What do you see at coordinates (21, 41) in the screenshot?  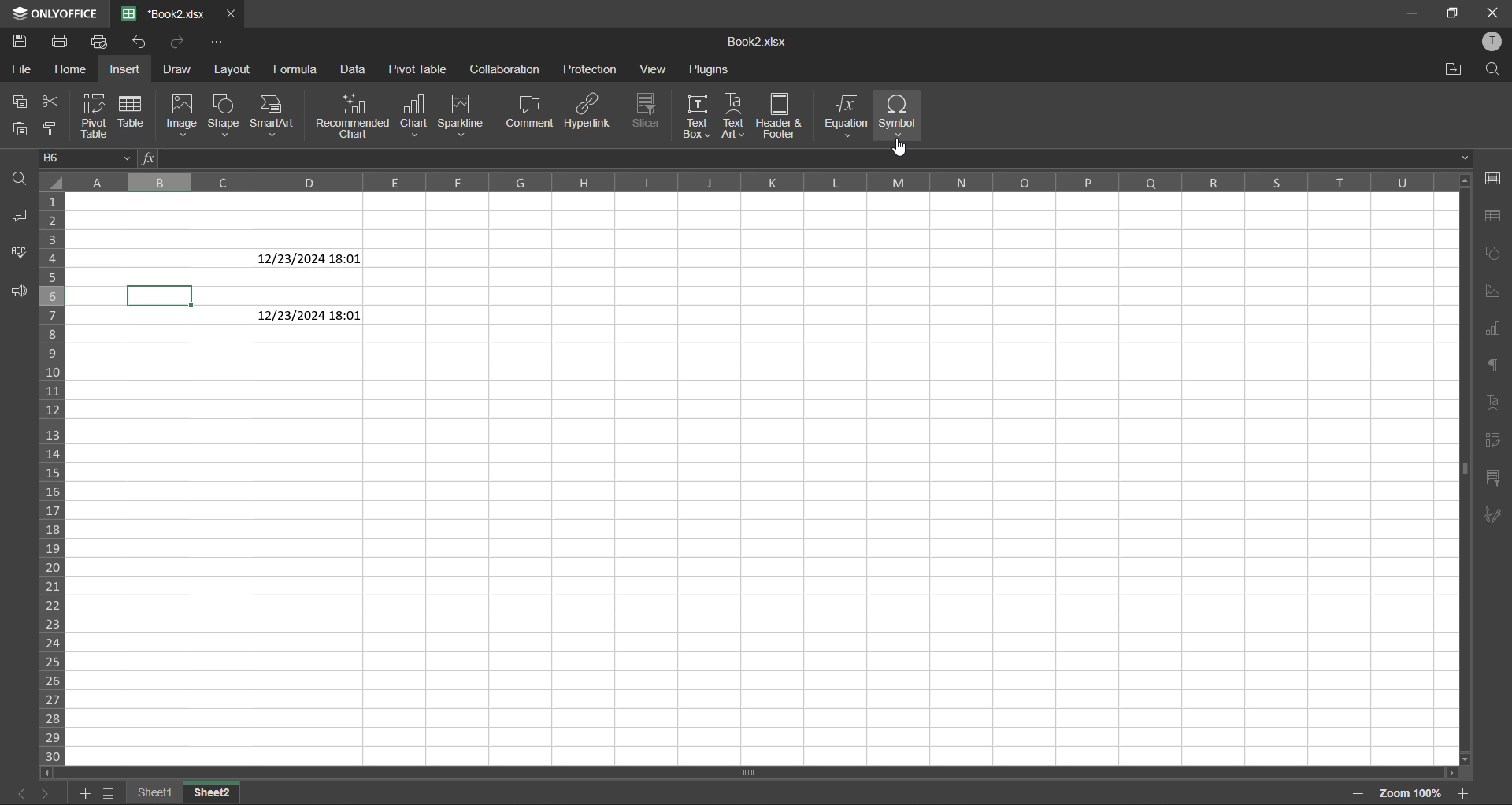 I see `save` at bounding box center [21, 41].